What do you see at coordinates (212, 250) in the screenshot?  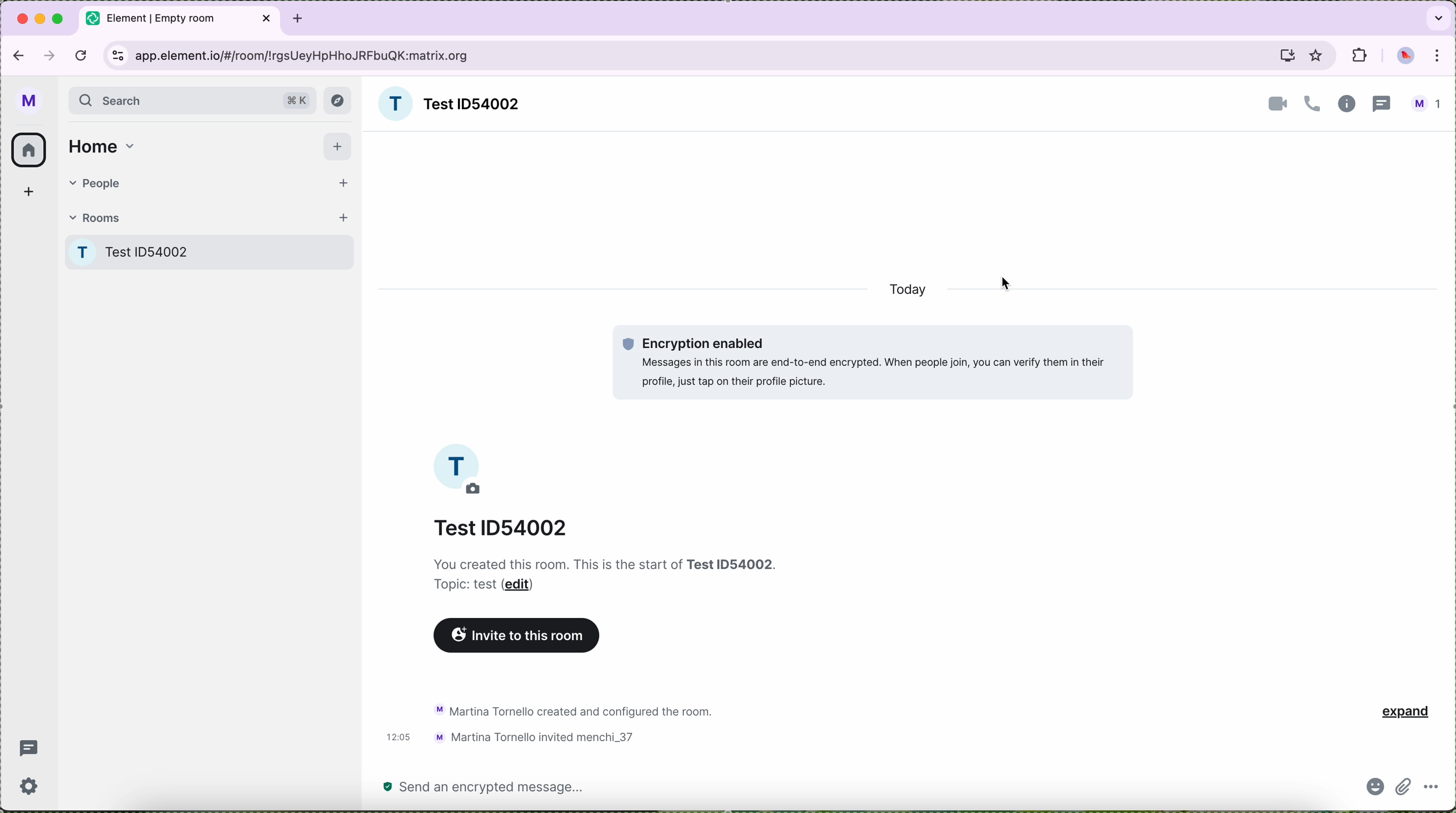 I see `Test room` at bounding box center [212, 250].